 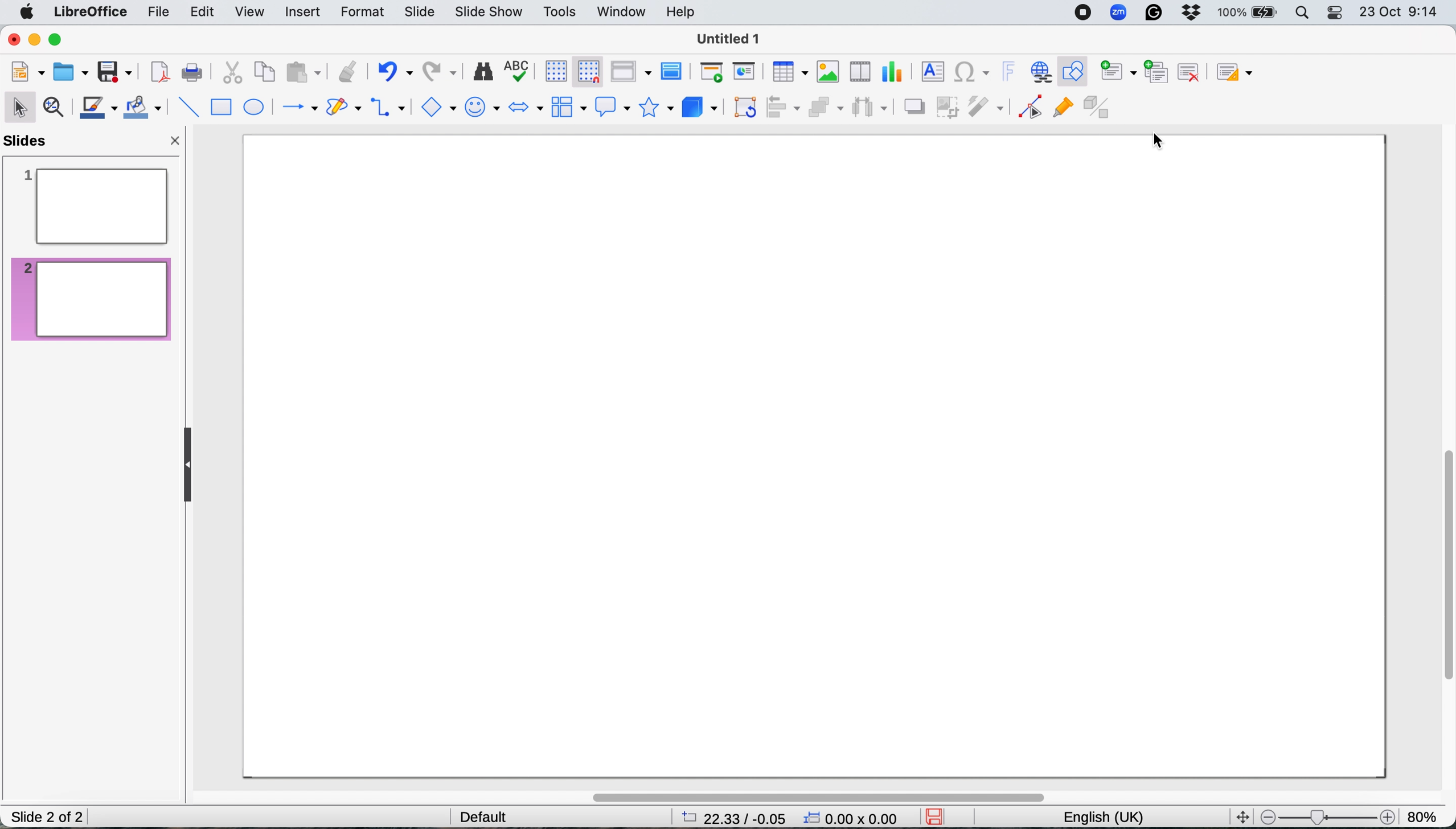 I want to click on save, so click(x=113, y=72).